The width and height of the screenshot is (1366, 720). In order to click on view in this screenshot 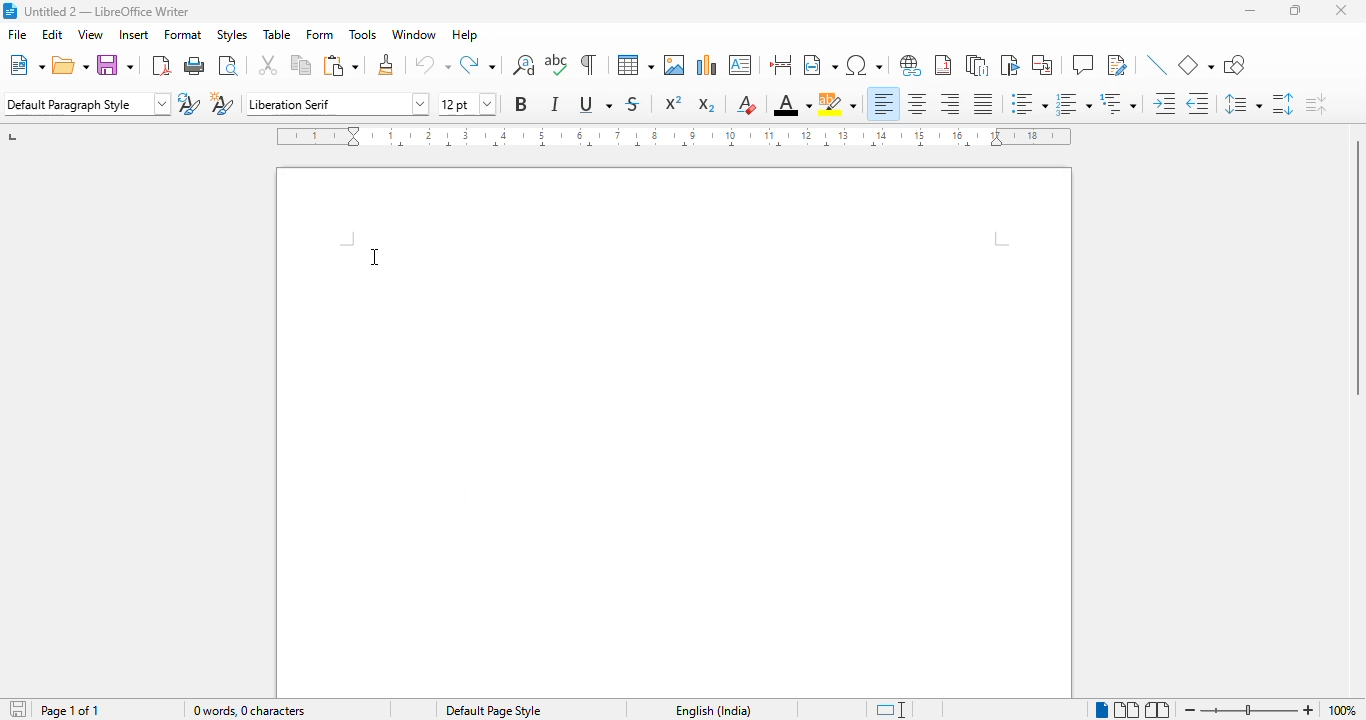, I will do `click(90, 34)`.